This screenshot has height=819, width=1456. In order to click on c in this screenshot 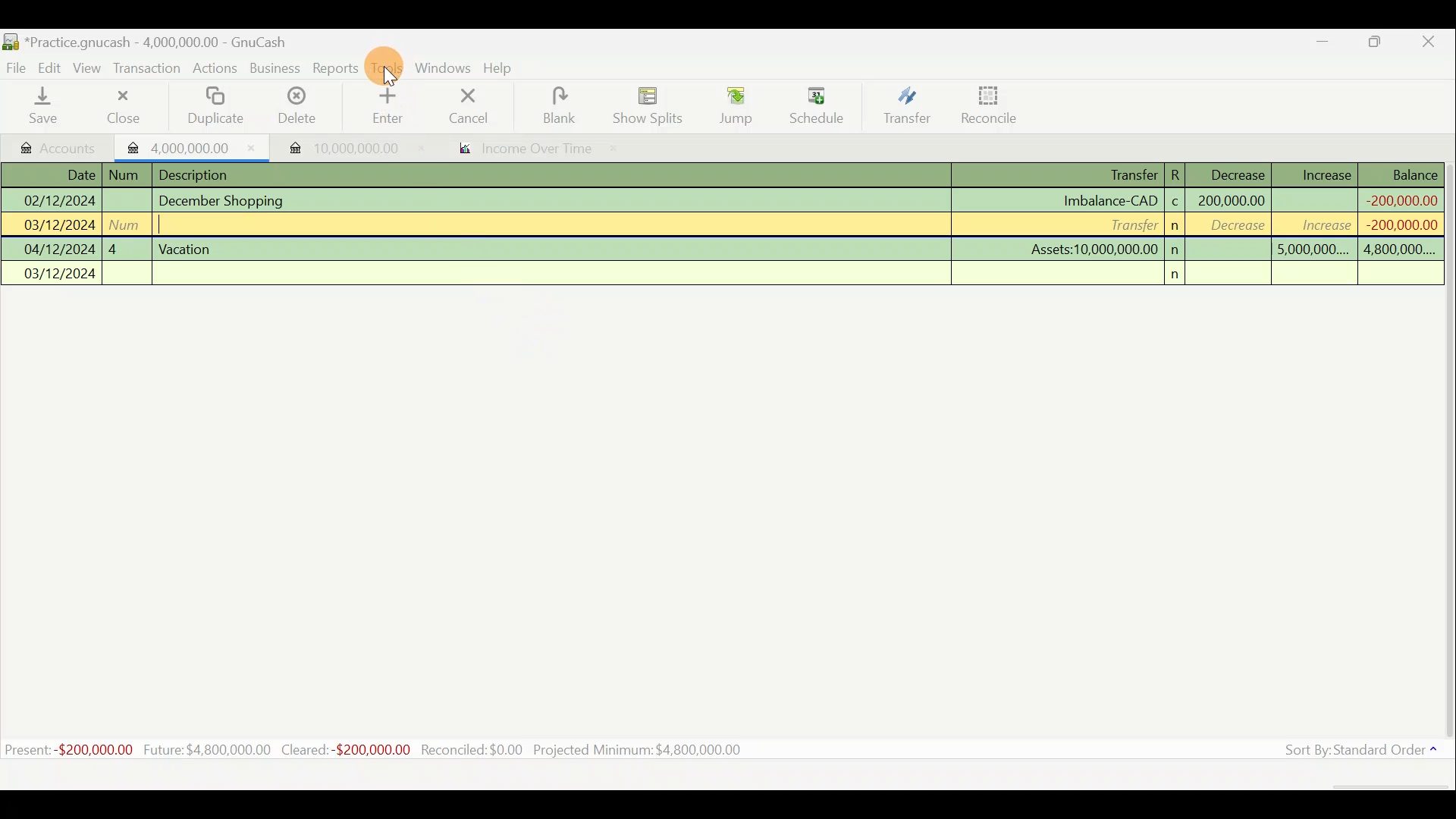, I will do `click(1175, 203)`.